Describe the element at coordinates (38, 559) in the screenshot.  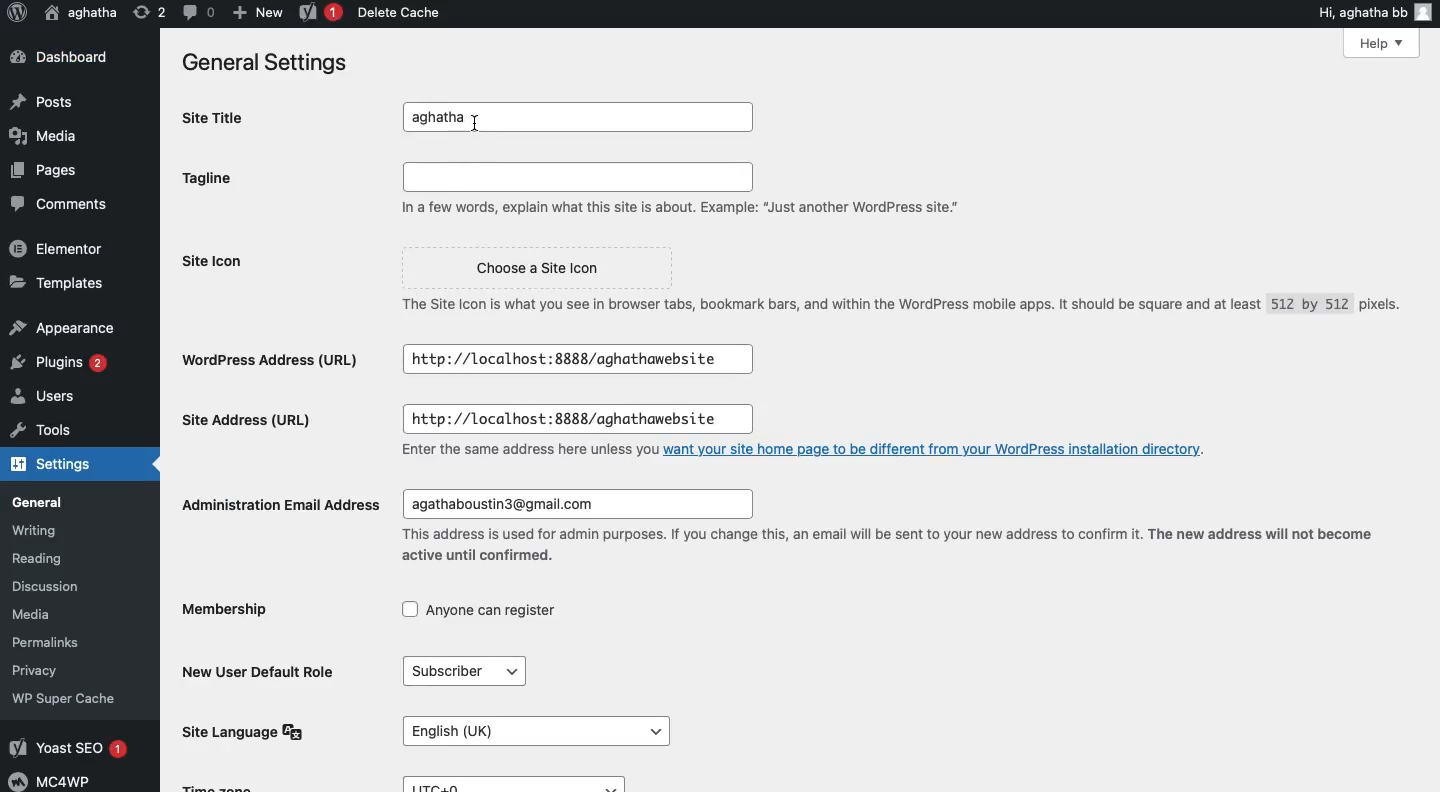
I see `Reading` at that location.